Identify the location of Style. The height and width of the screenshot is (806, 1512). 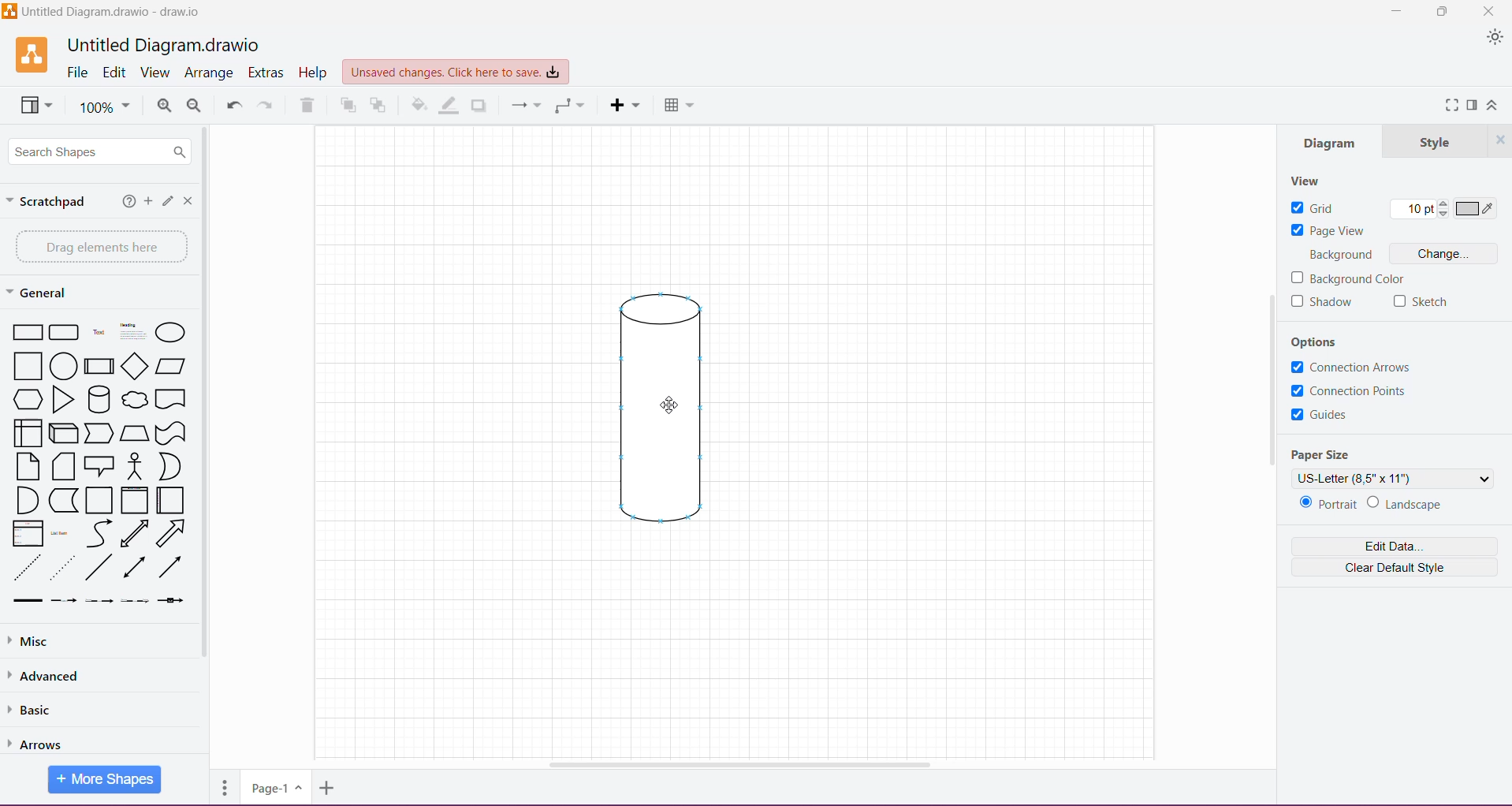
(1431, 142).